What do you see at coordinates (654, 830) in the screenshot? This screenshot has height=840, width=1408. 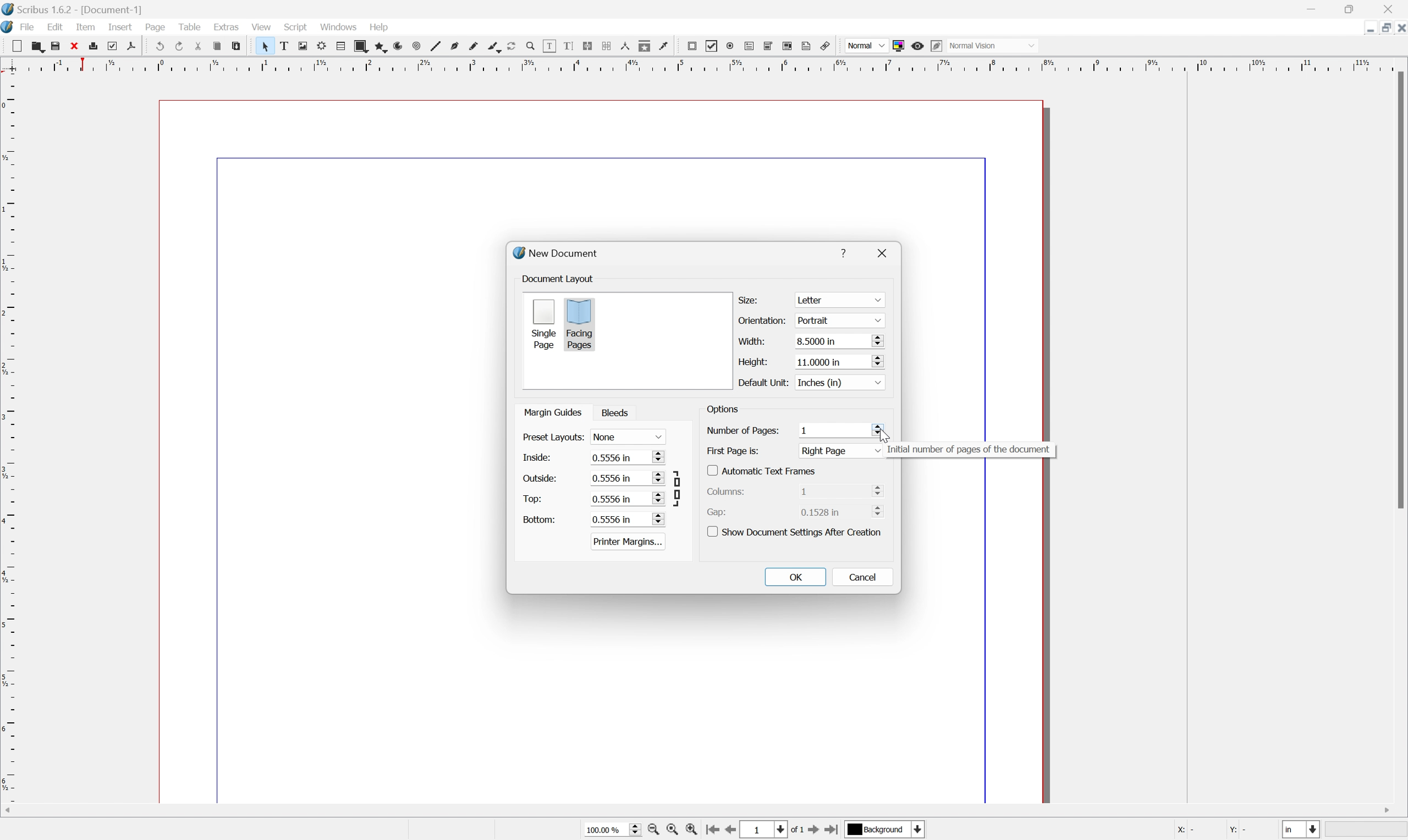 I see `zoom out` at bounding box center [654, 830].